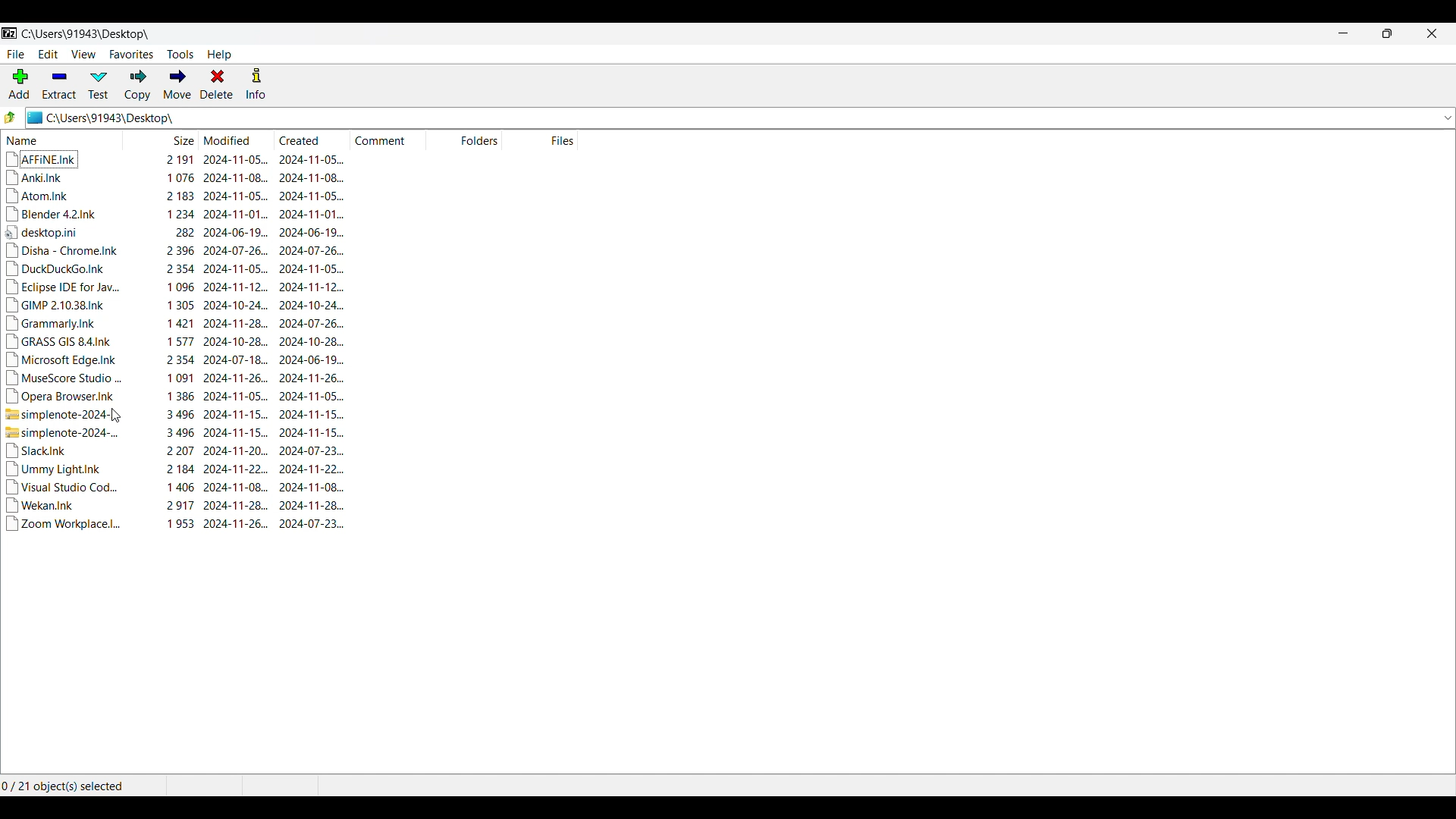 The height and width of the screenshot is (819, 1456). What do you see at coordinates (177, 378) in the screenshot?
I see `MuseScore Studio ... 1091 2024-11-26... 2024-11-26...` at bounding box center [177, 378].